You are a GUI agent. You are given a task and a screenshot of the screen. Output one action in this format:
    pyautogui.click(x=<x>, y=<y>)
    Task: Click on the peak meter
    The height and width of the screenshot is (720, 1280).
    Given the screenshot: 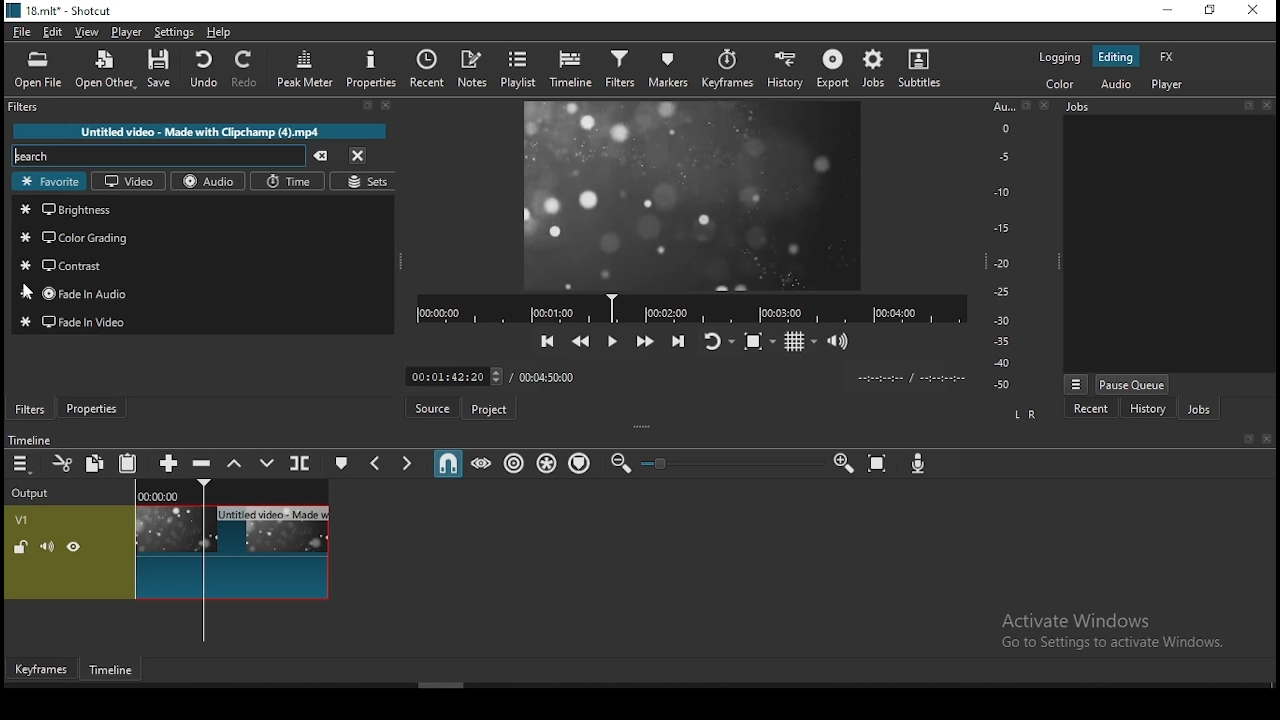 What is the action you would take?
    pyautogui.click(x=305, y=68)
    